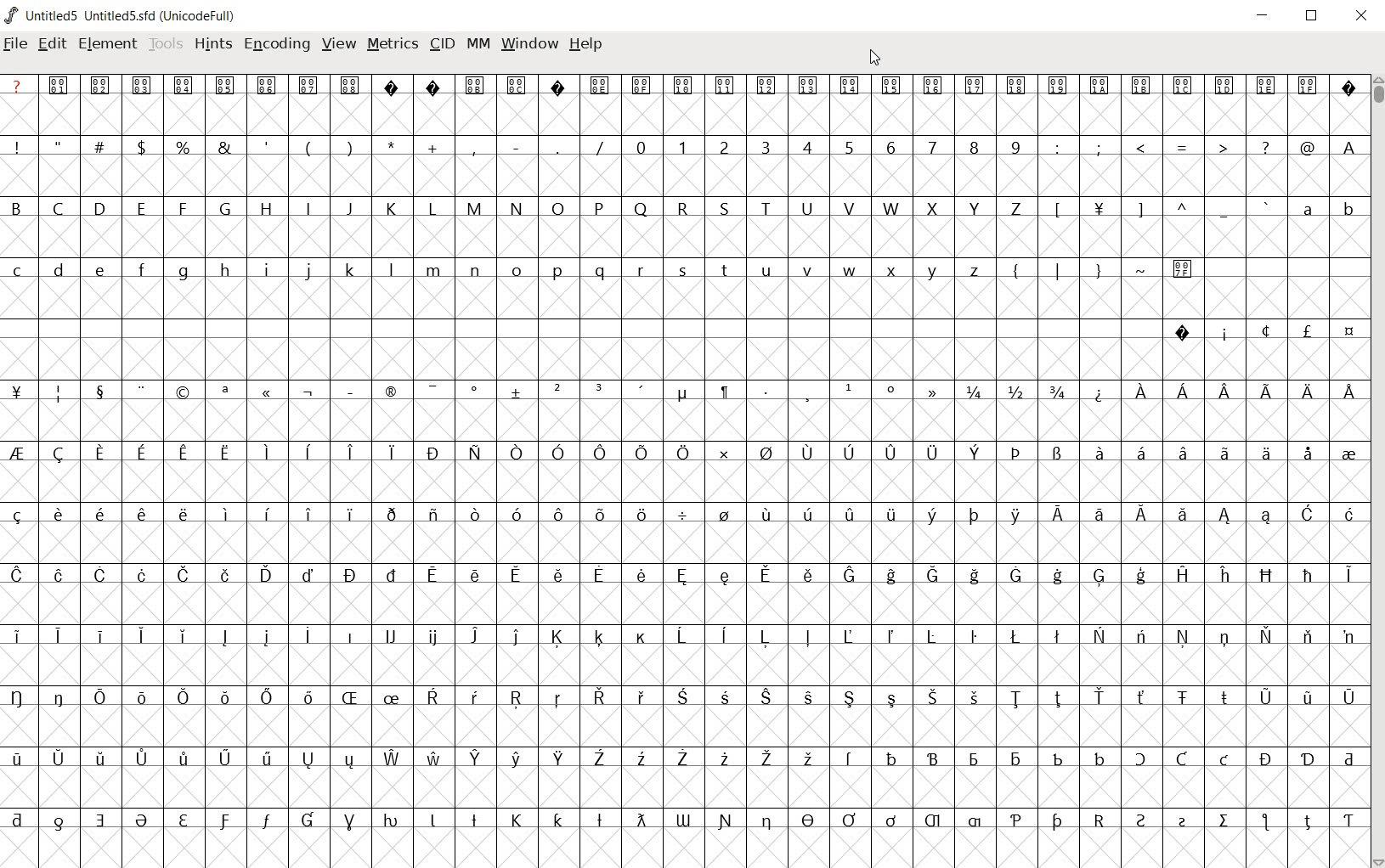 This screenshot has width=1385, height=868. I want to click on Symbol, so click(61, 85).